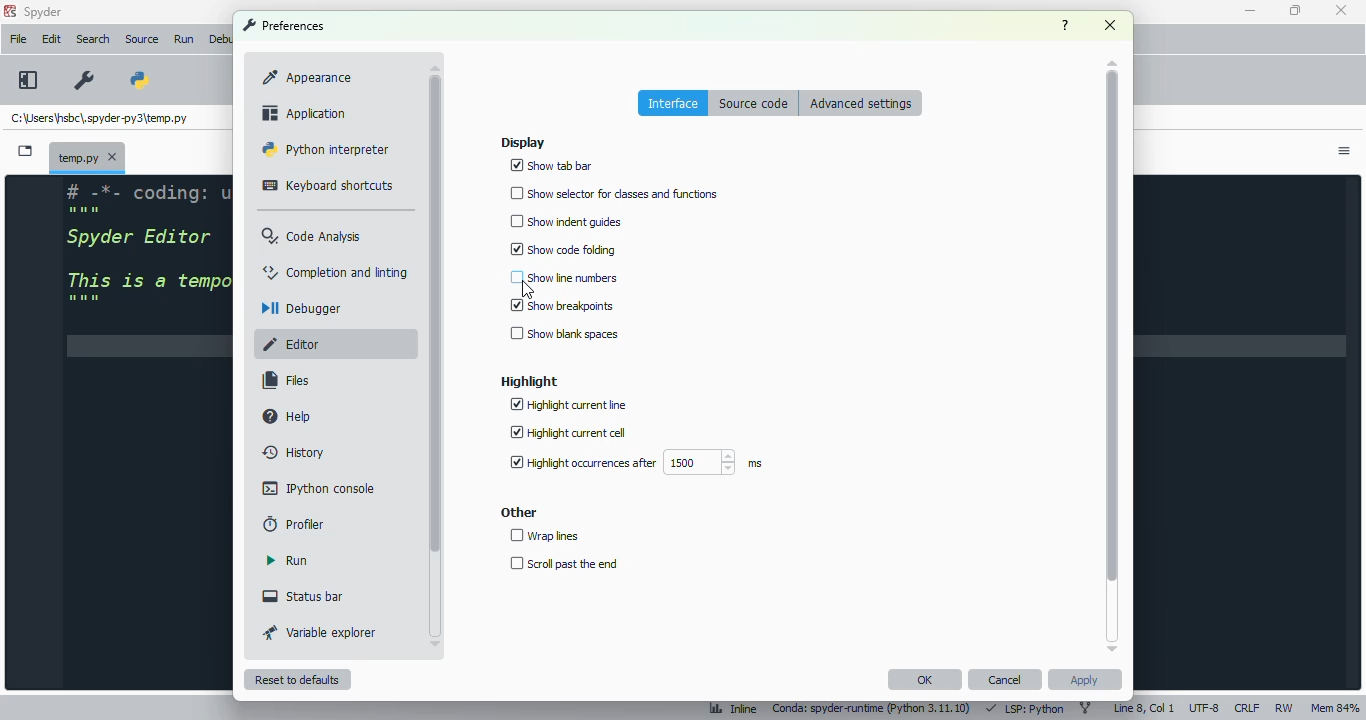 The width and height of the screenshot is (1366, 720). Describe the element at coordinates (18, 39) in the screenshot. I see `file` at that location.